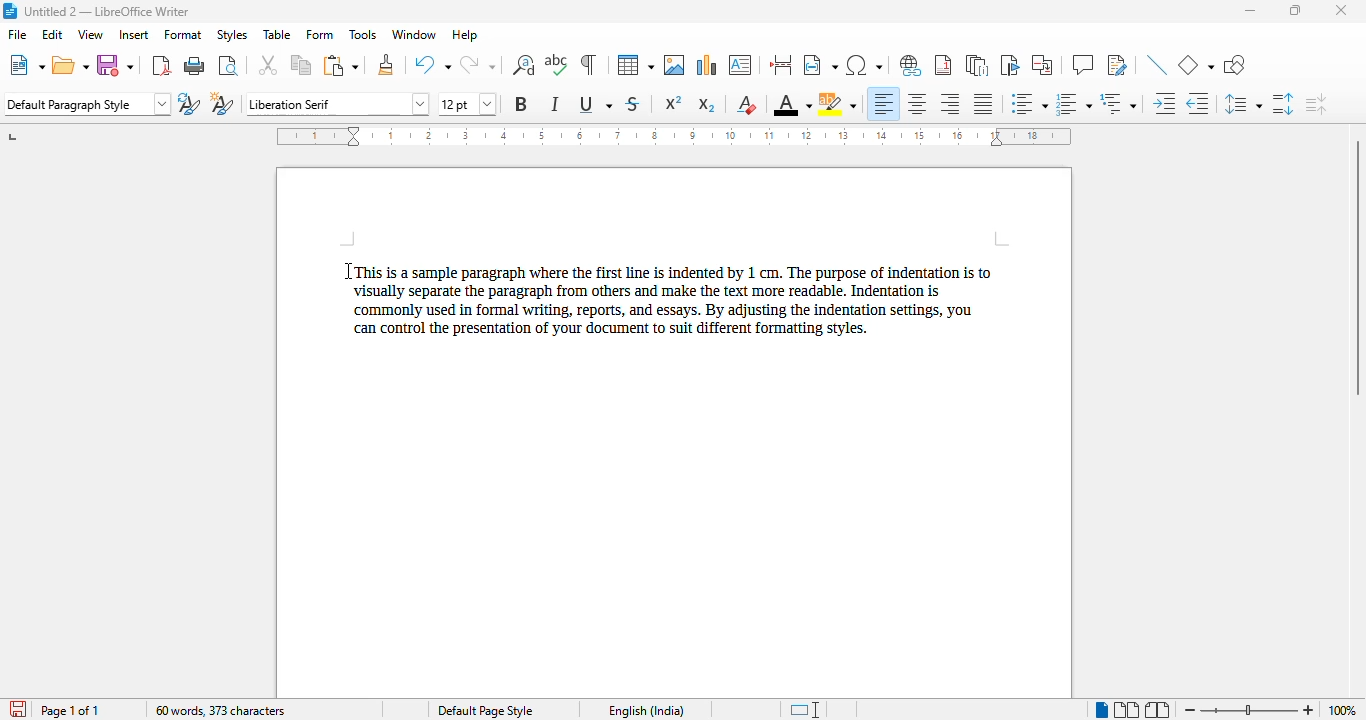  Describe the element at coordinates (1117, 65) in the screenshot. I see `show track changes functions` at that location.